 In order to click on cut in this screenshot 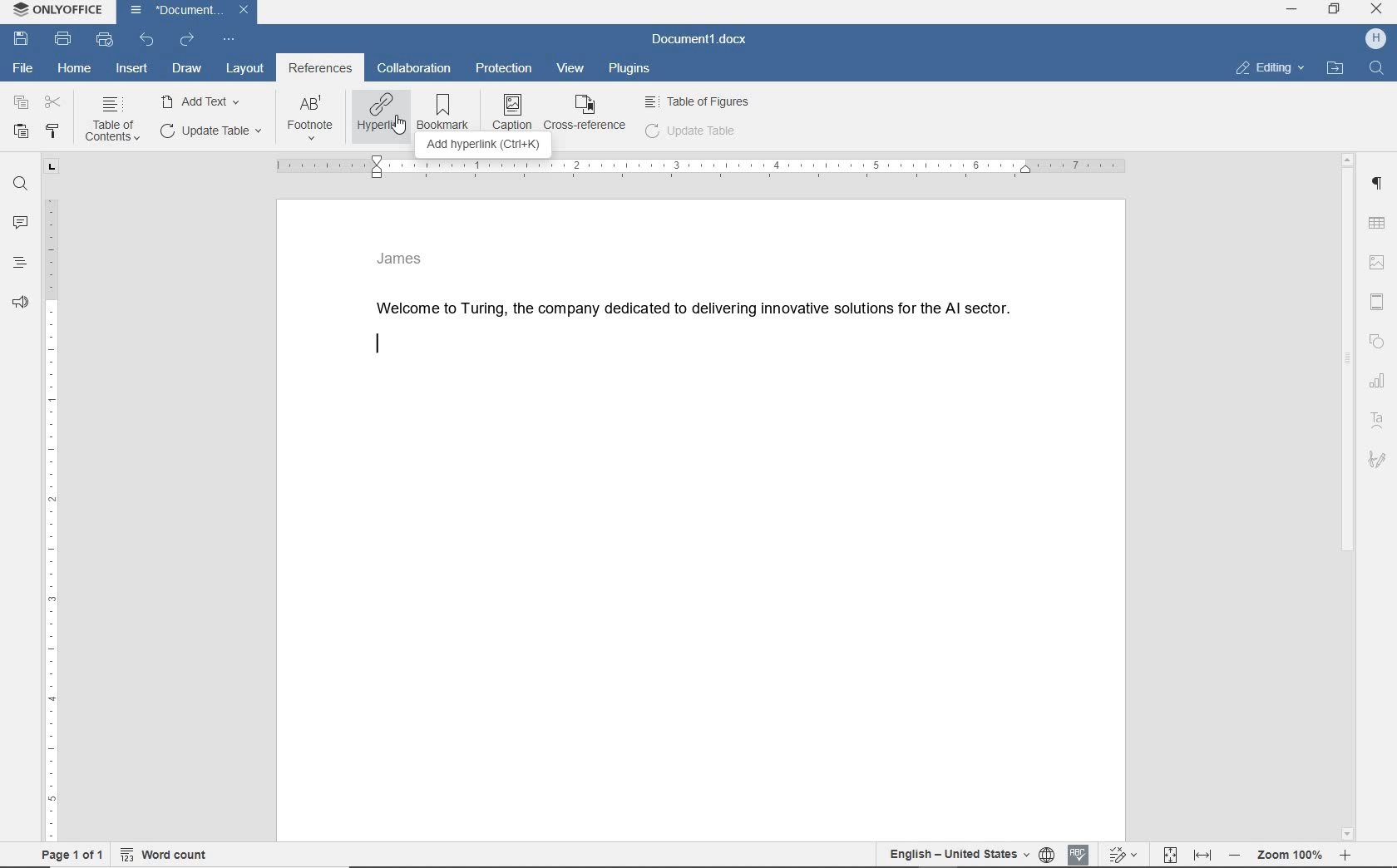, I will do `click(55, 103)`.